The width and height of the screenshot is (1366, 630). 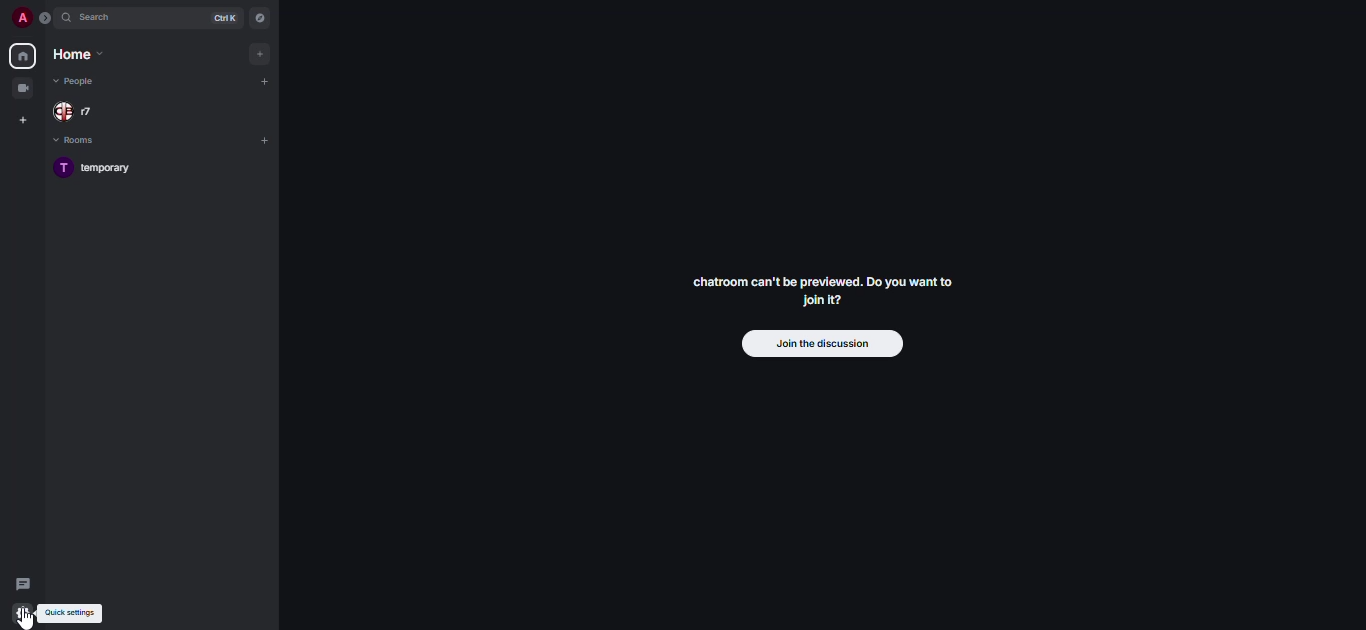 What do you see at coordinates (22, 614) in the screenshot?
I see `quick settings` at bounding box center [22, 614].